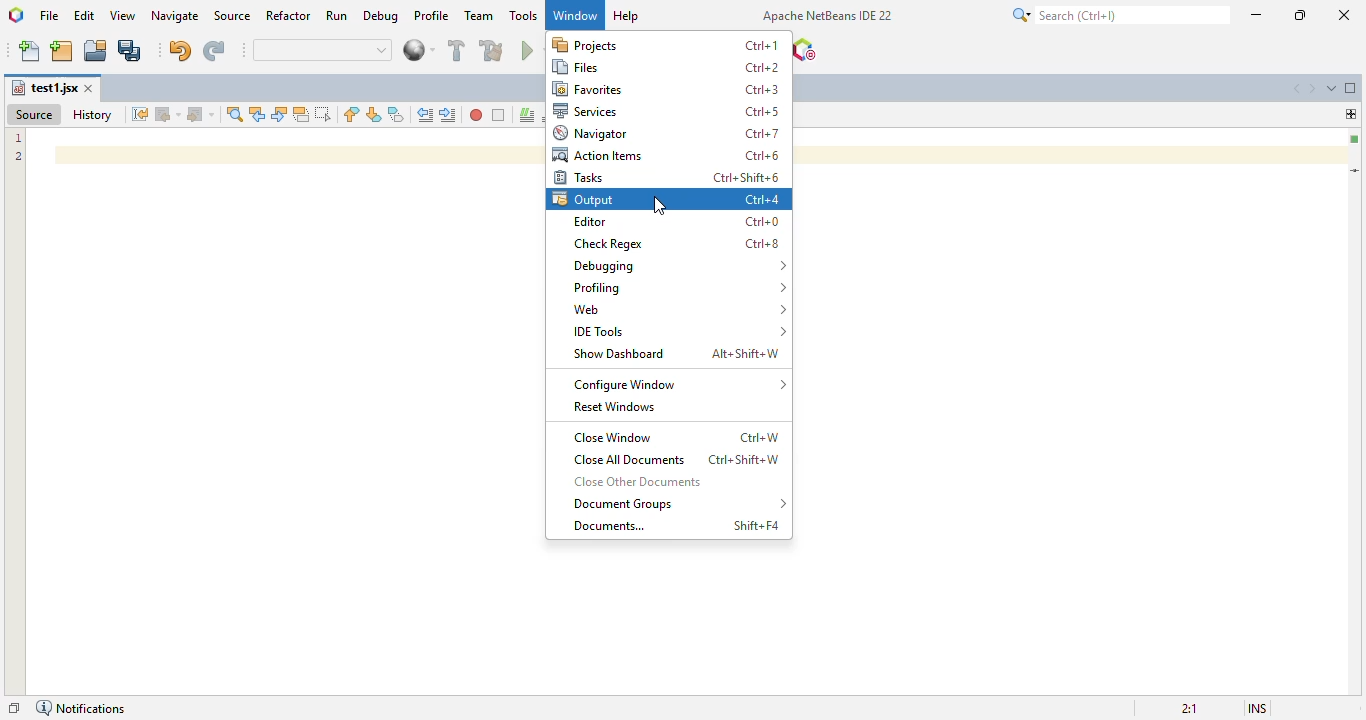  I want to click on back, so click(169, 114).